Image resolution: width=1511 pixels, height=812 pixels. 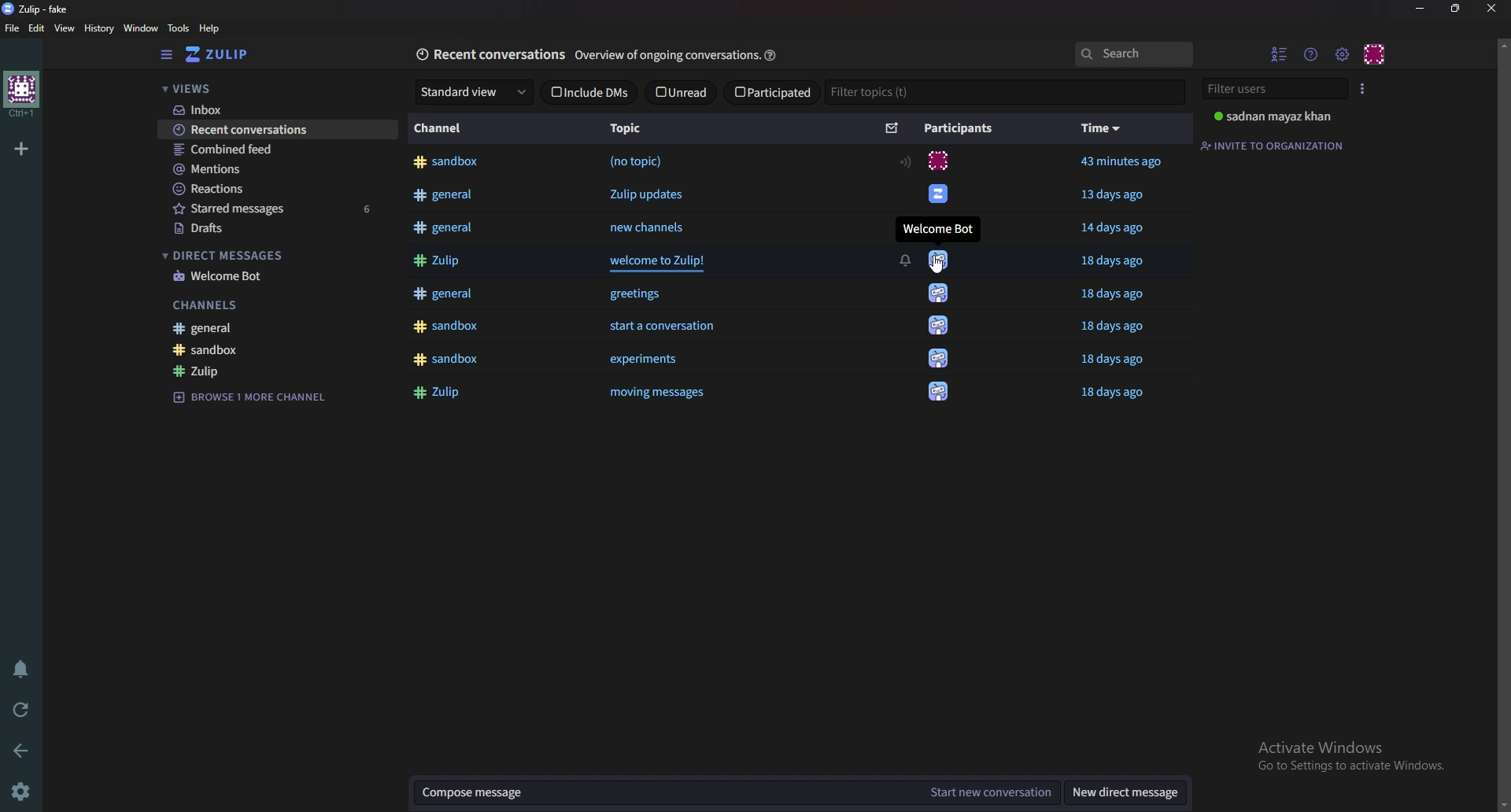 I want to click on icon, so click(x=939, y=295).